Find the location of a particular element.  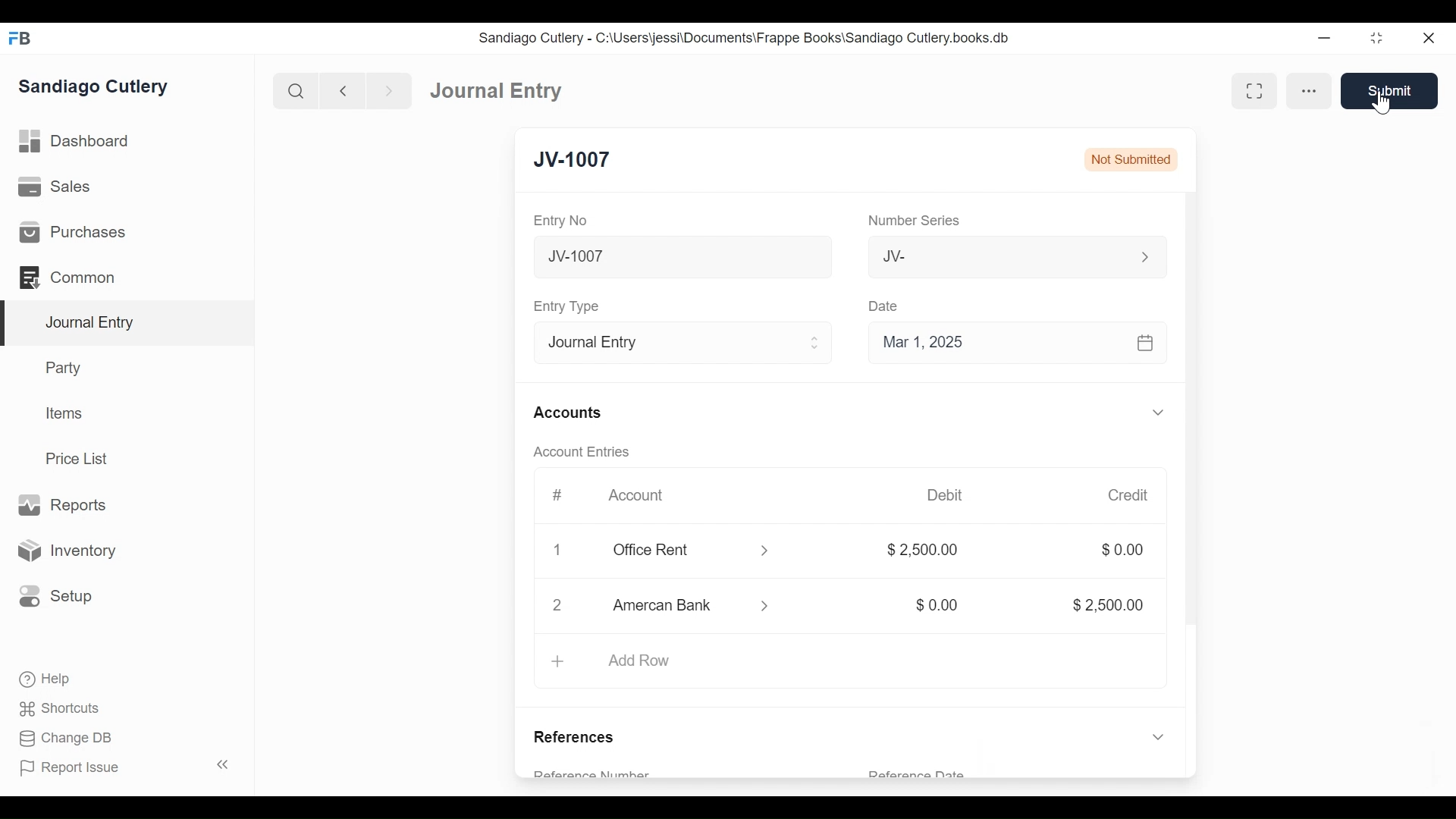

$2500.00 is located at coordinates (924, 552).